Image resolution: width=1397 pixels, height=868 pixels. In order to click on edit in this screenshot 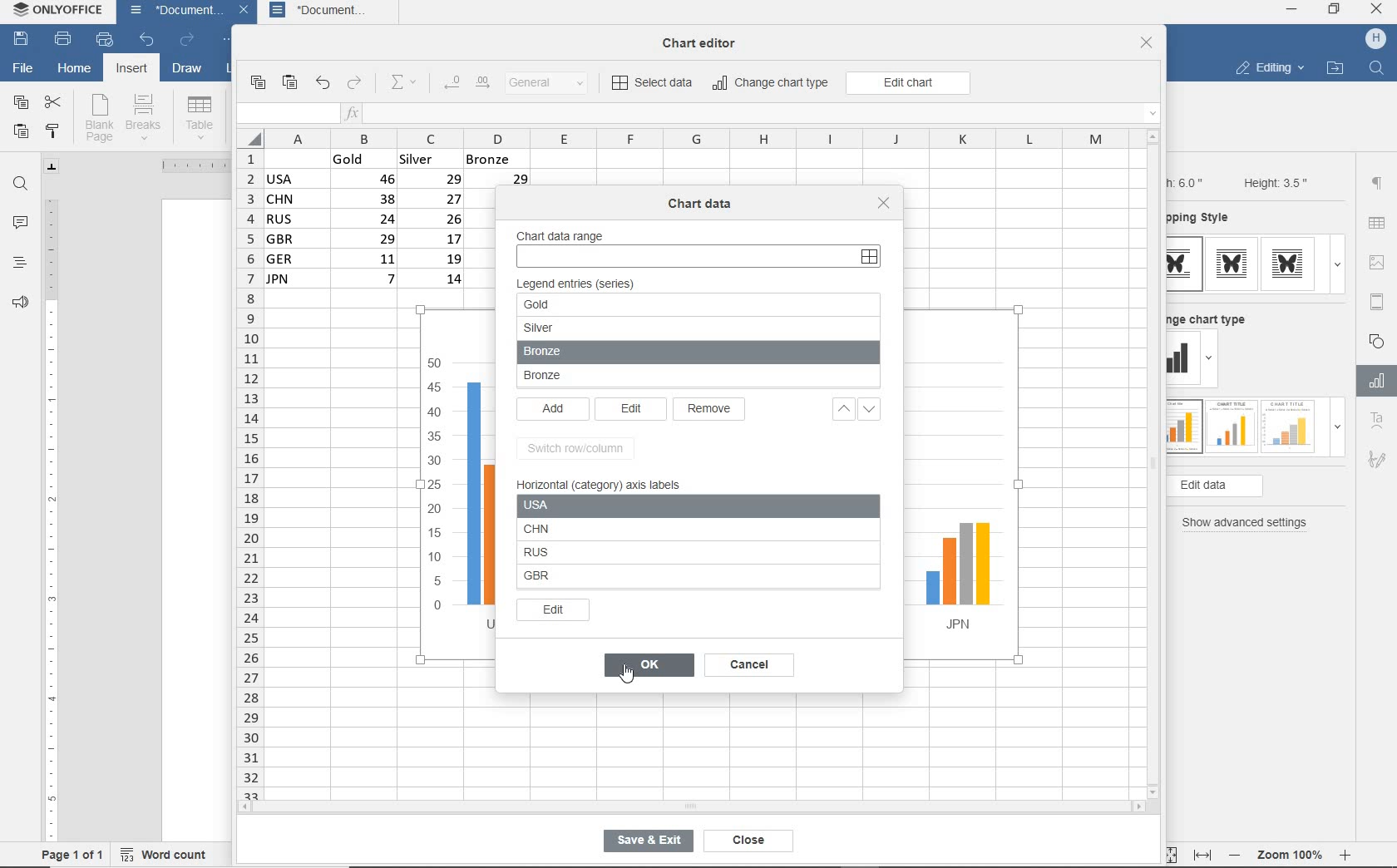, I will do `click(554, 611)`.